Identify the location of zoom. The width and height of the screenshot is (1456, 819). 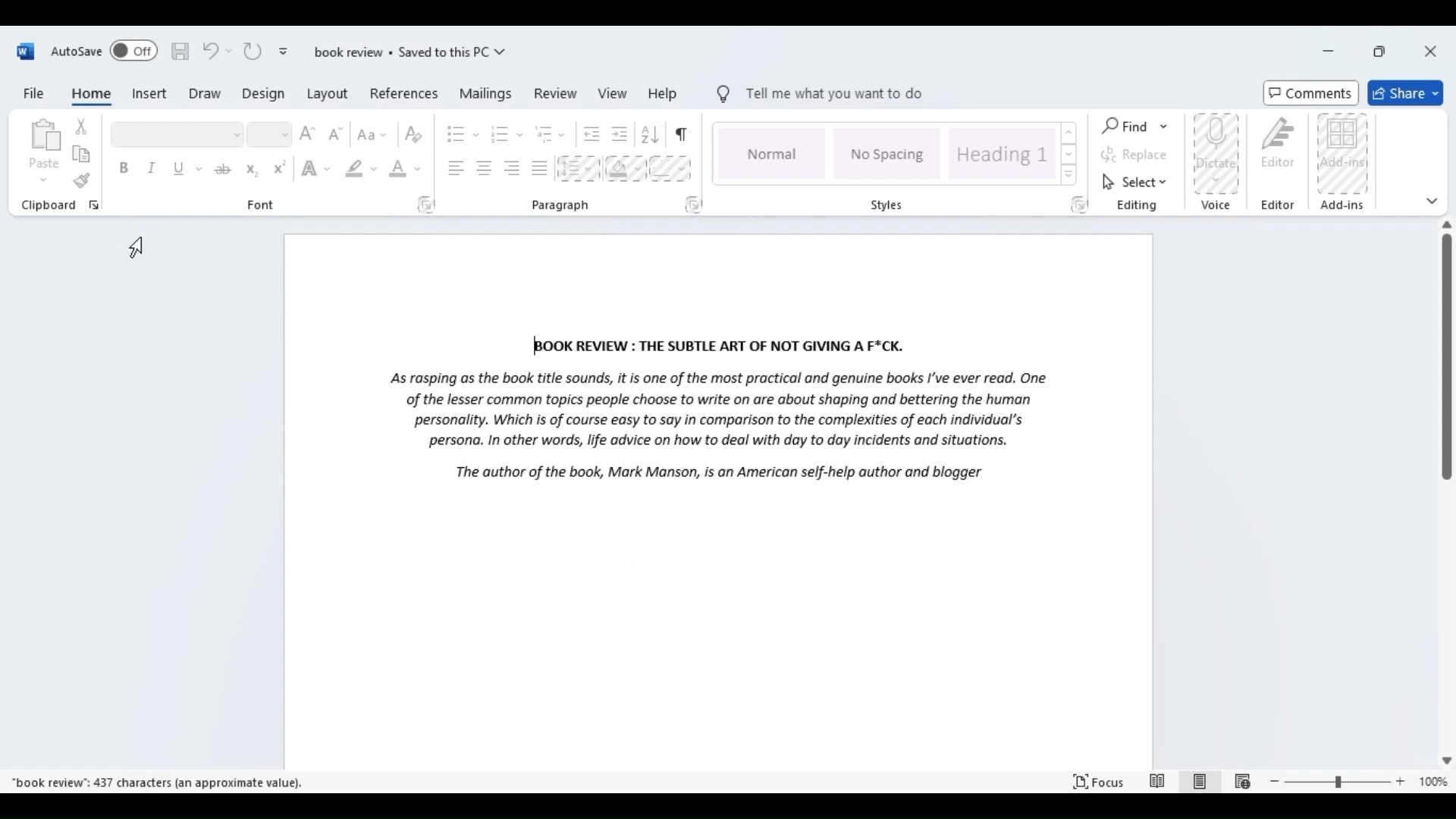
(1357, 780).